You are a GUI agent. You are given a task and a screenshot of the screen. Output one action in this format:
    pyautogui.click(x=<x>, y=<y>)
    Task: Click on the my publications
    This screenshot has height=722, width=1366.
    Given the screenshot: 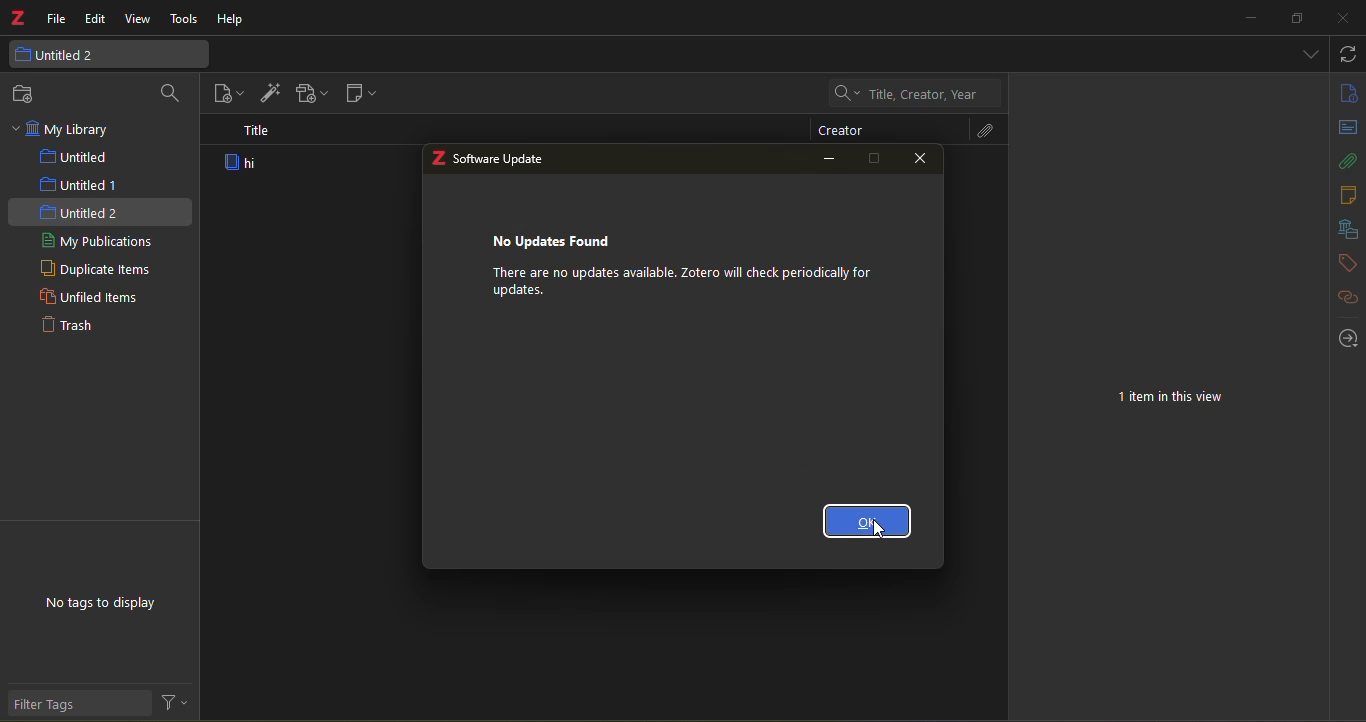 What is the action you would take?
    pyautogui.click(x=96, y=240)
    